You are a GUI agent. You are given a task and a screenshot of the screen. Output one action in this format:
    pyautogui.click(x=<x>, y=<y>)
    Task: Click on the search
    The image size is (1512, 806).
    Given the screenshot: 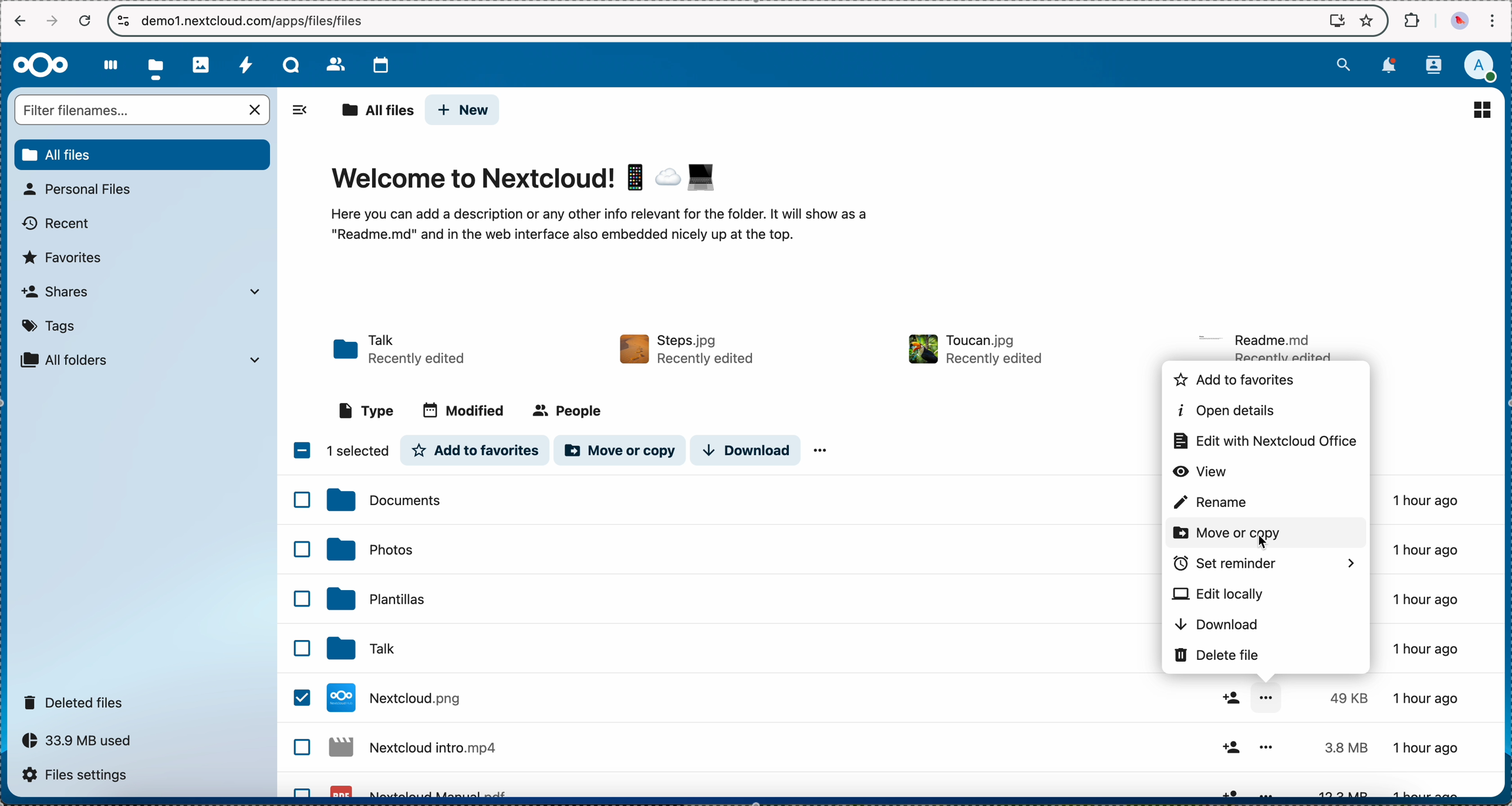 What is the action you would take?
    pyautogui.click(x=1342, y=65)
    